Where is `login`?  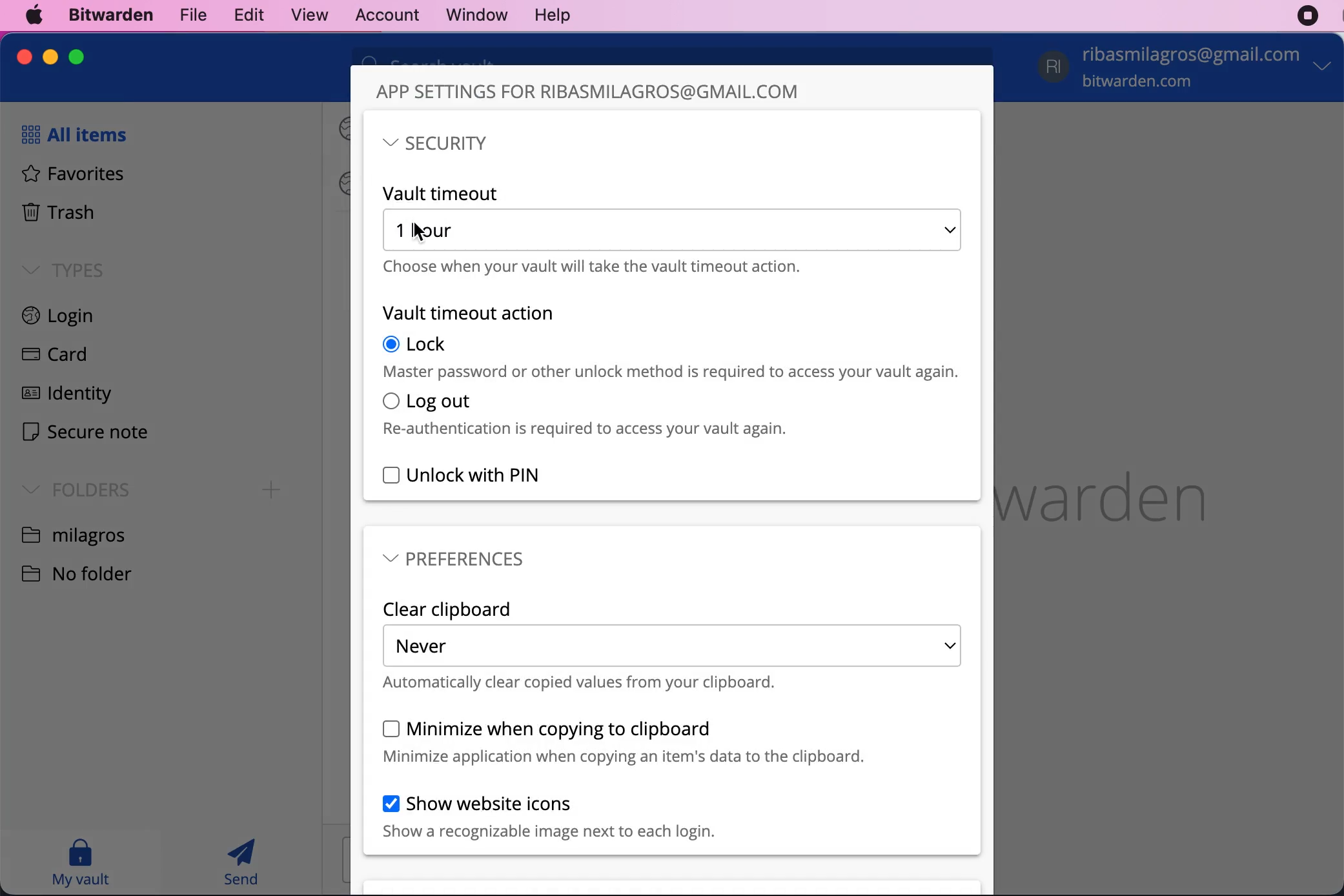 login is located at coordinates (74, 318).